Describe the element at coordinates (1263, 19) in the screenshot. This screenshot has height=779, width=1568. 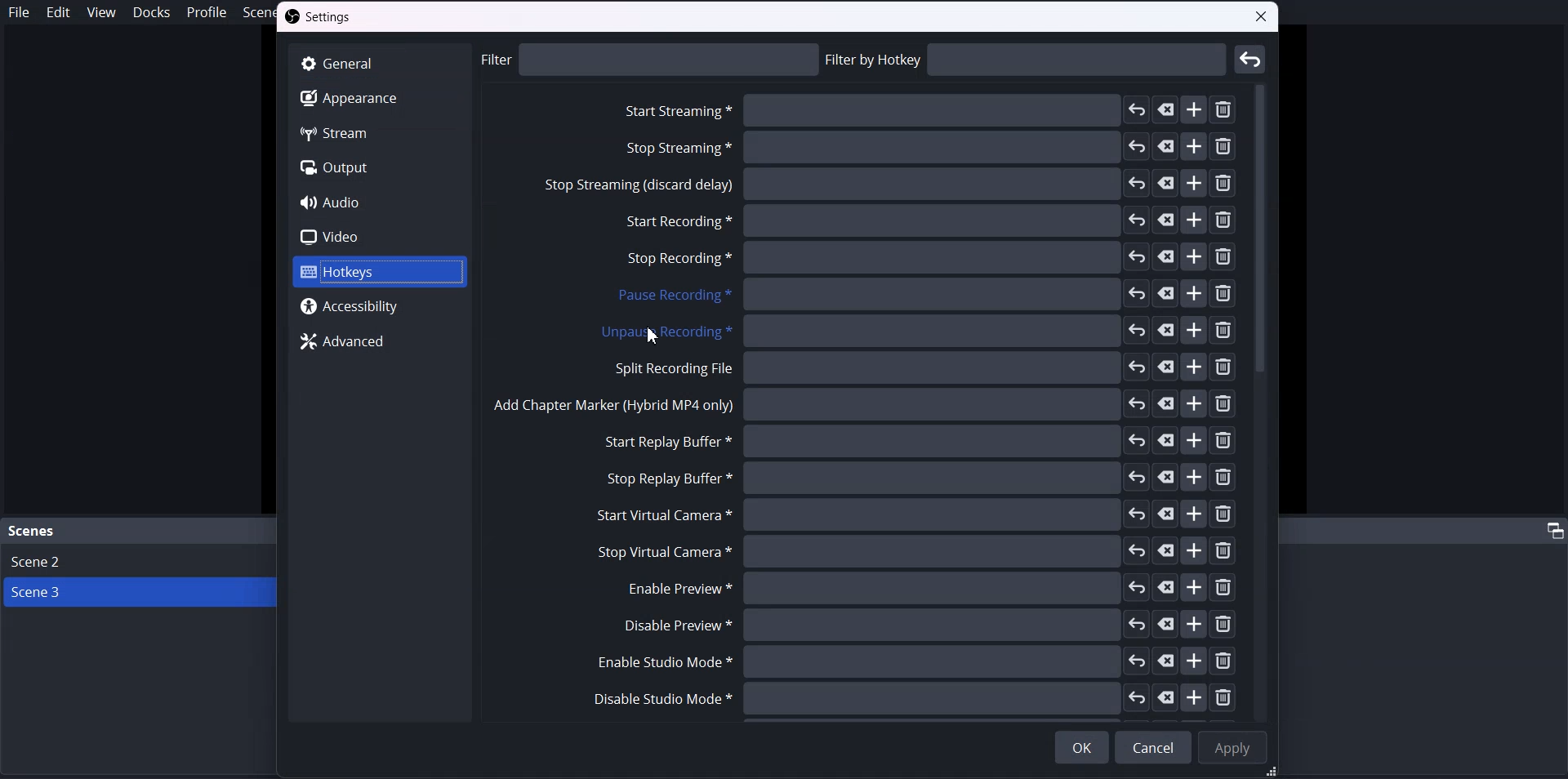
I see `close` at that location.